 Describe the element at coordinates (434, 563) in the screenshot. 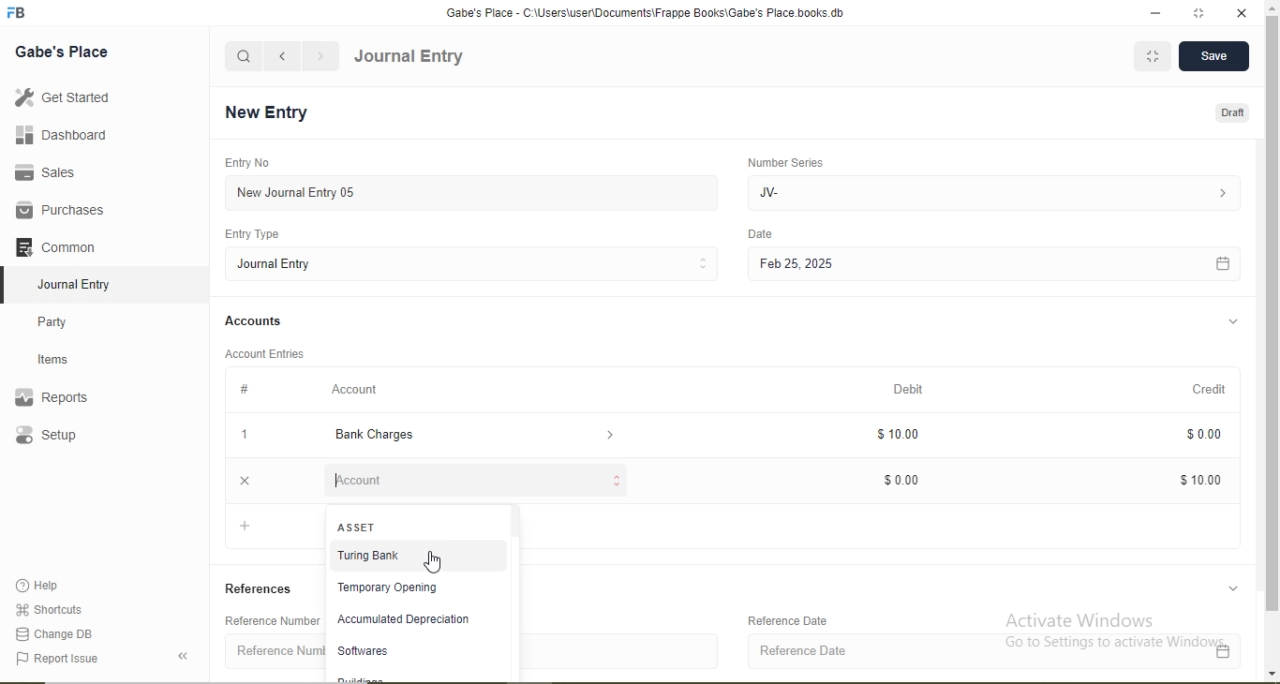

I see `cursor` at that location.